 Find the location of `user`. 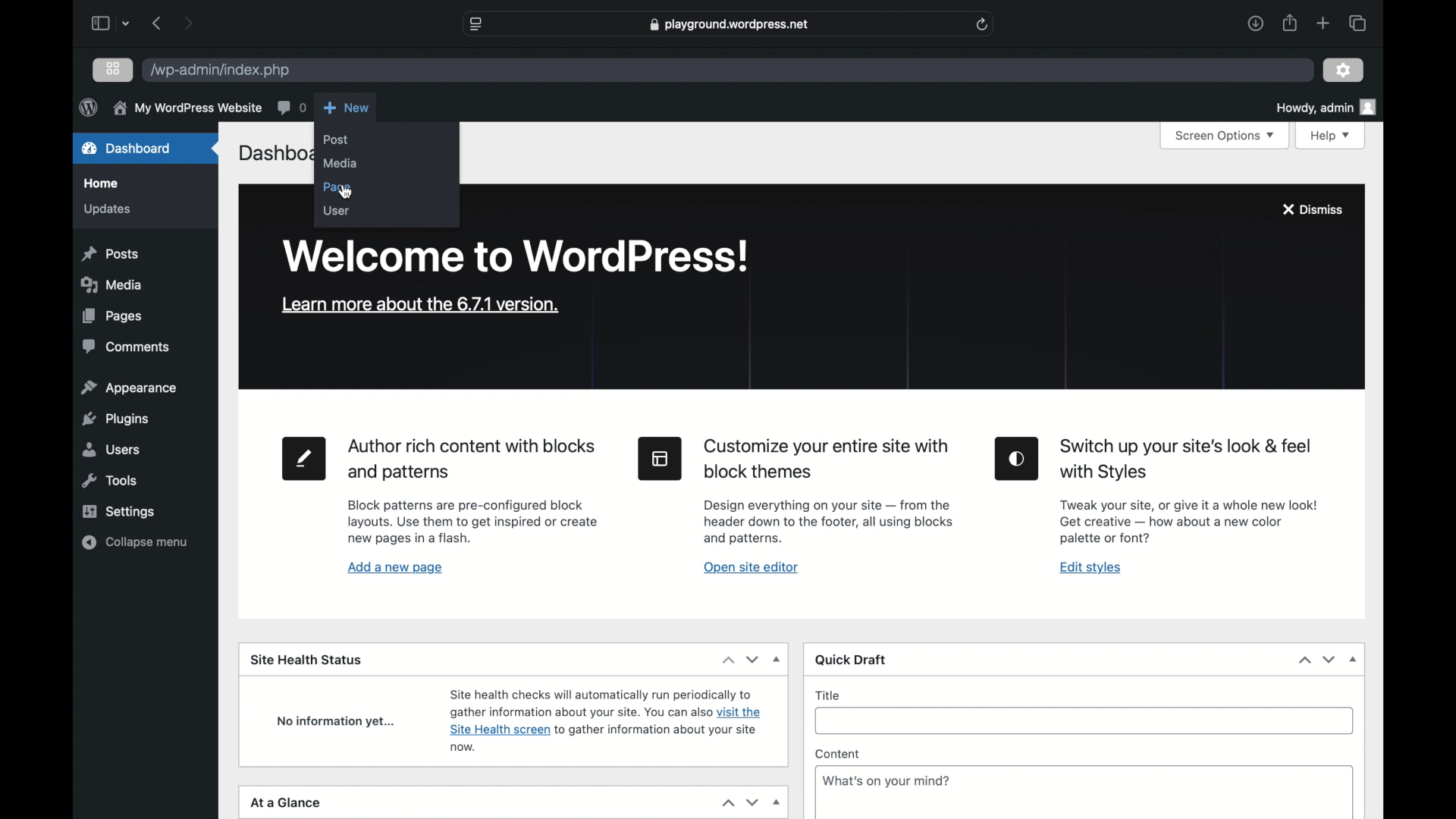

user is located at coordinates (337, 211).